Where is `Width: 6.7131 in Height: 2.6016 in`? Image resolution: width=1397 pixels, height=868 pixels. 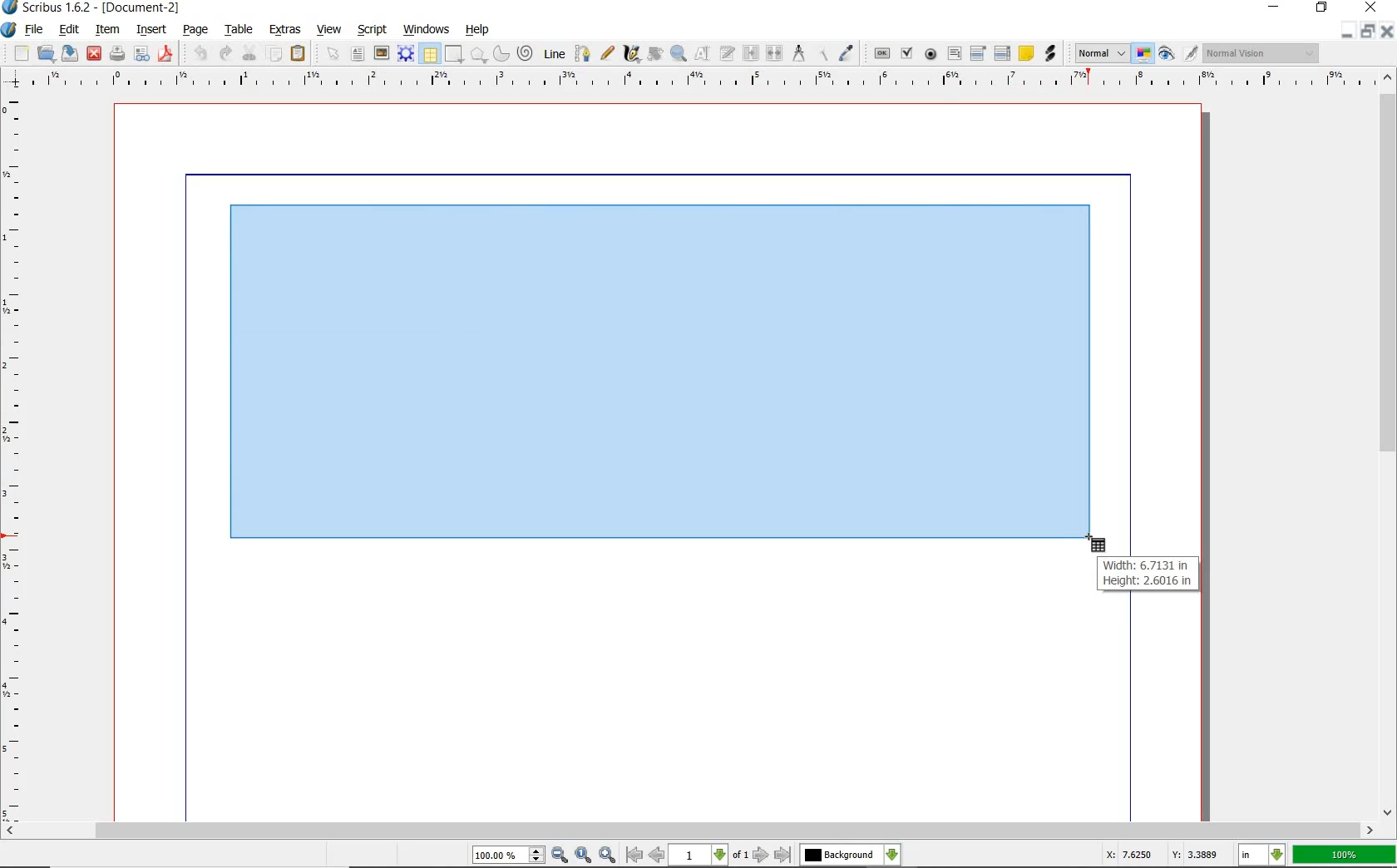 Width: 6.7131 in Height: 2.6016 in is located at coordinates (1149, 573).